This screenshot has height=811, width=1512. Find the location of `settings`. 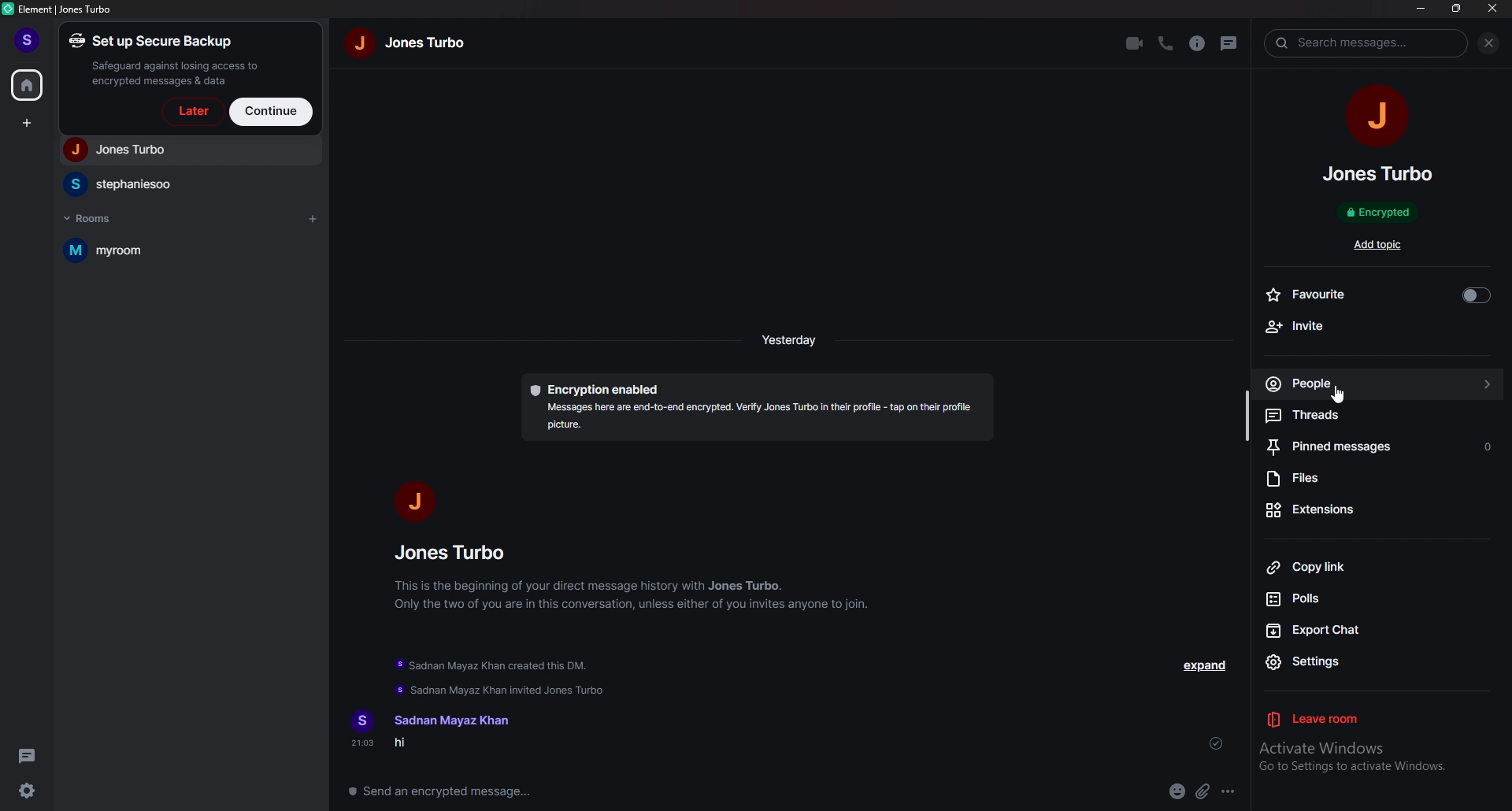

settings is located at coordinates (29, 791).